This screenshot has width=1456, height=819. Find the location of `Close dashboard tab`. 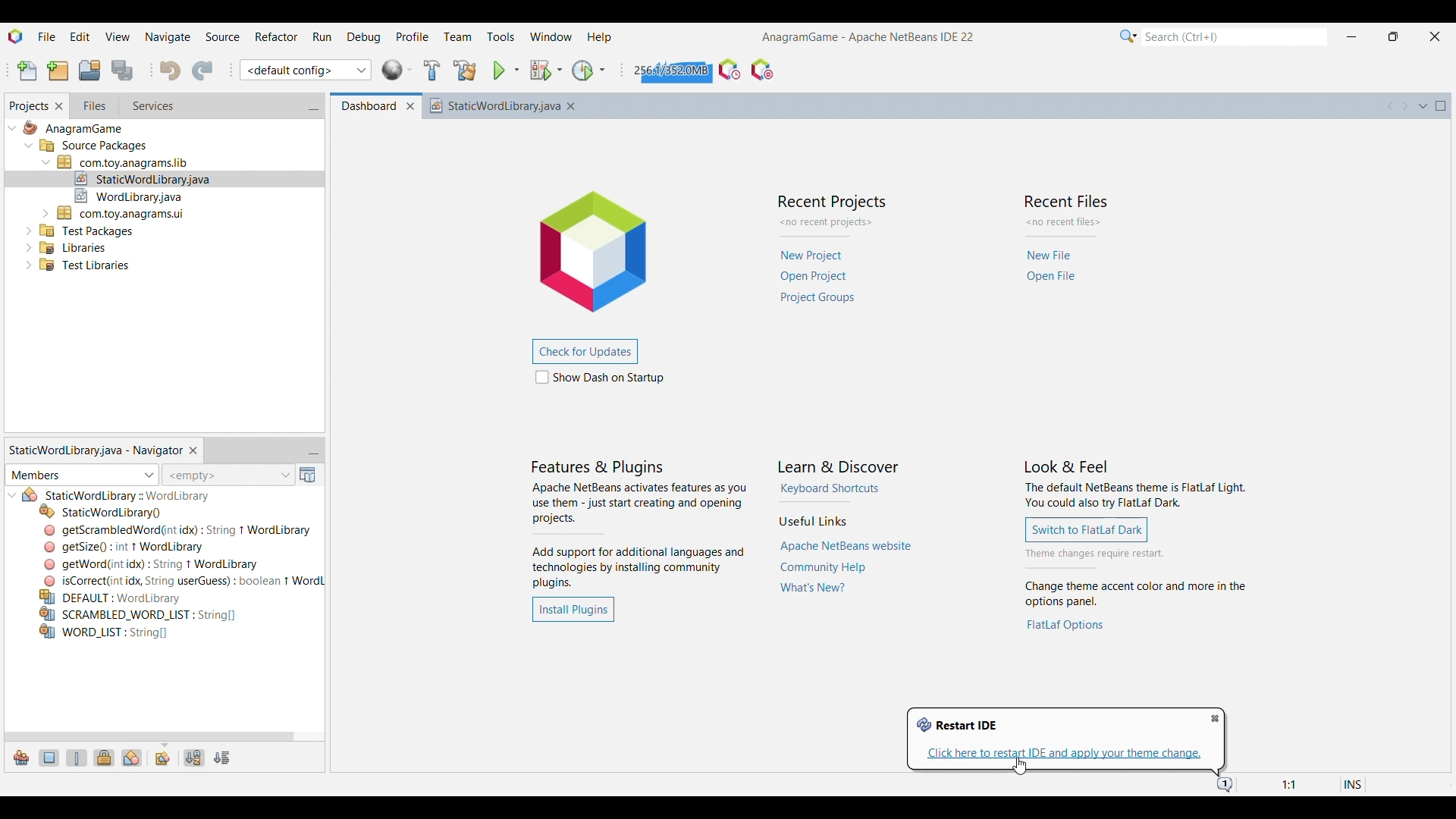

Close dashboard tab is located at coordinates (410, 107).